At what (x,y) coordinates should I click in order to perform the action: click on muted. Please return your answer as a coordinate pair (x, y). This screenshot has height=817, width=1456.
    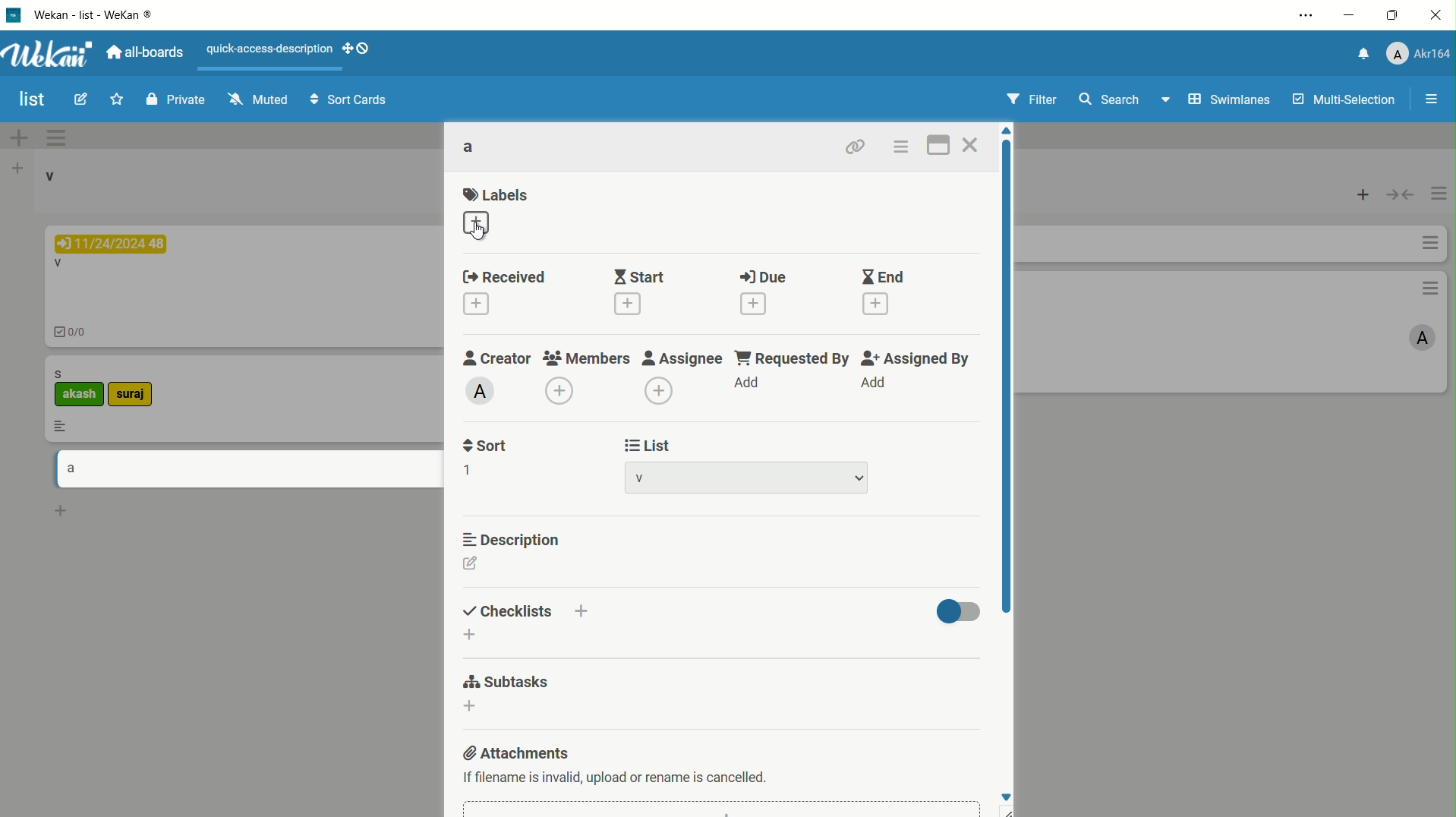
    Looking at the image, I should click on (257, 99).